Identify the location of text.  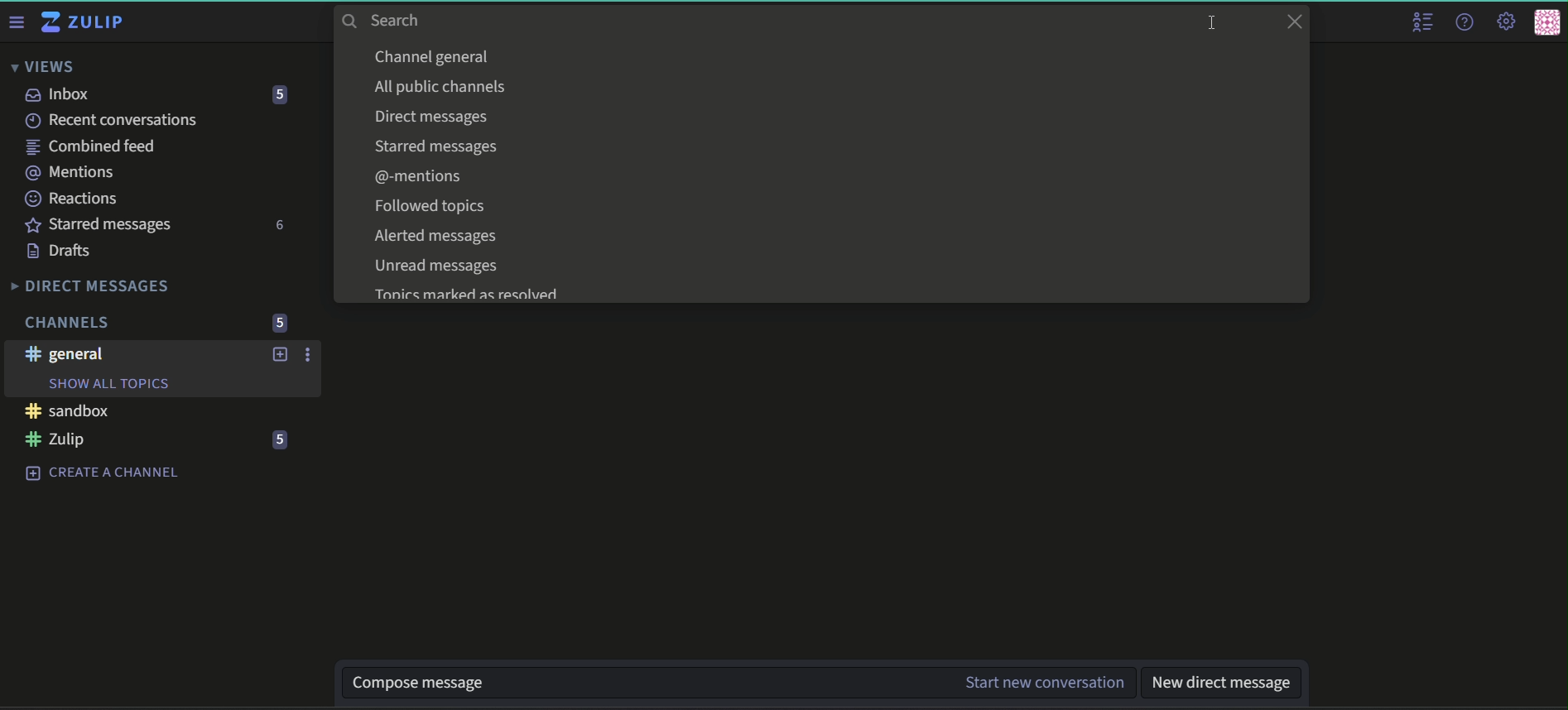
(436, 207).